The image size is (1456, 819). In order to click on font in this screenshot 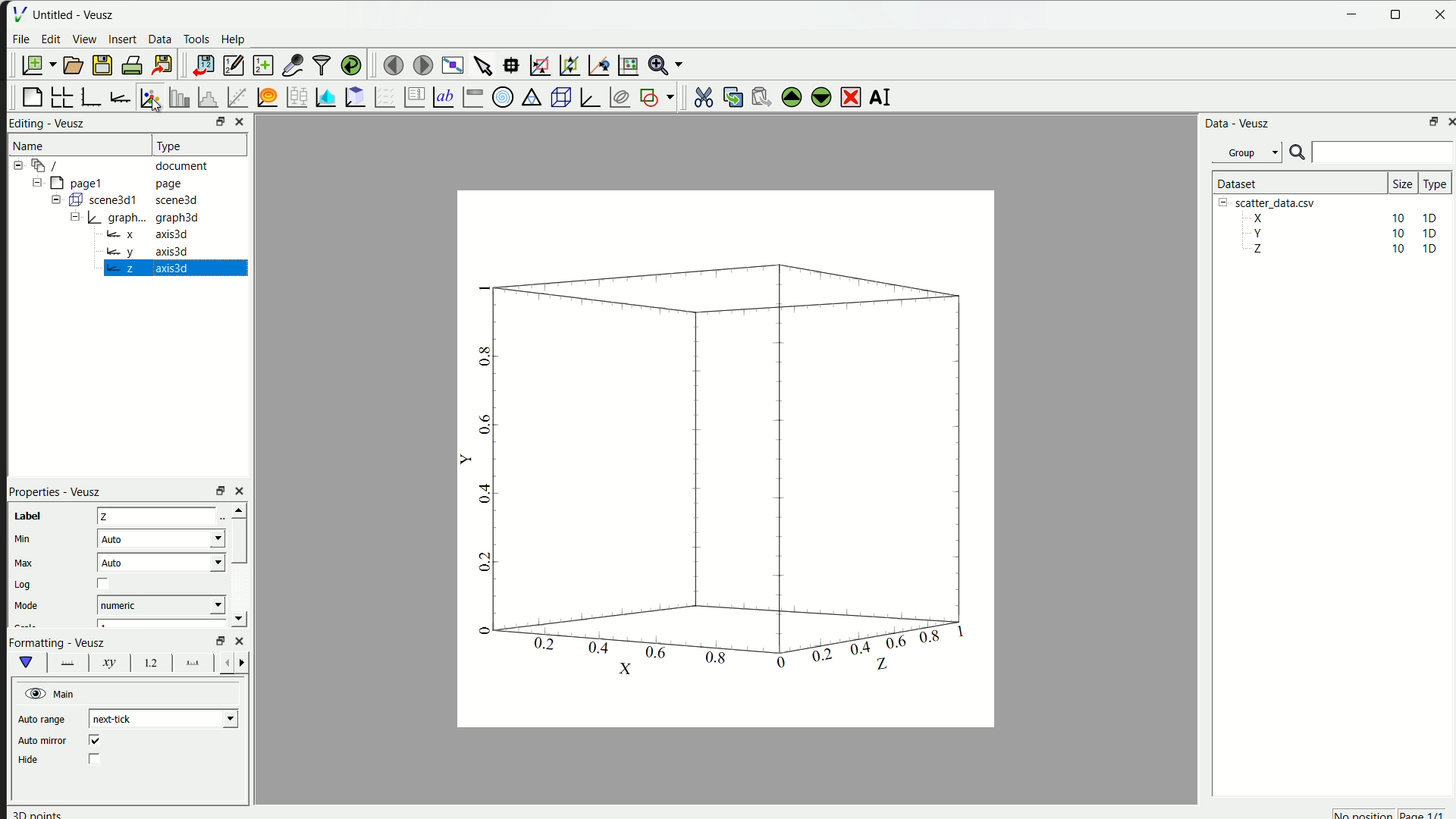, I will do `click(191, 663)`.